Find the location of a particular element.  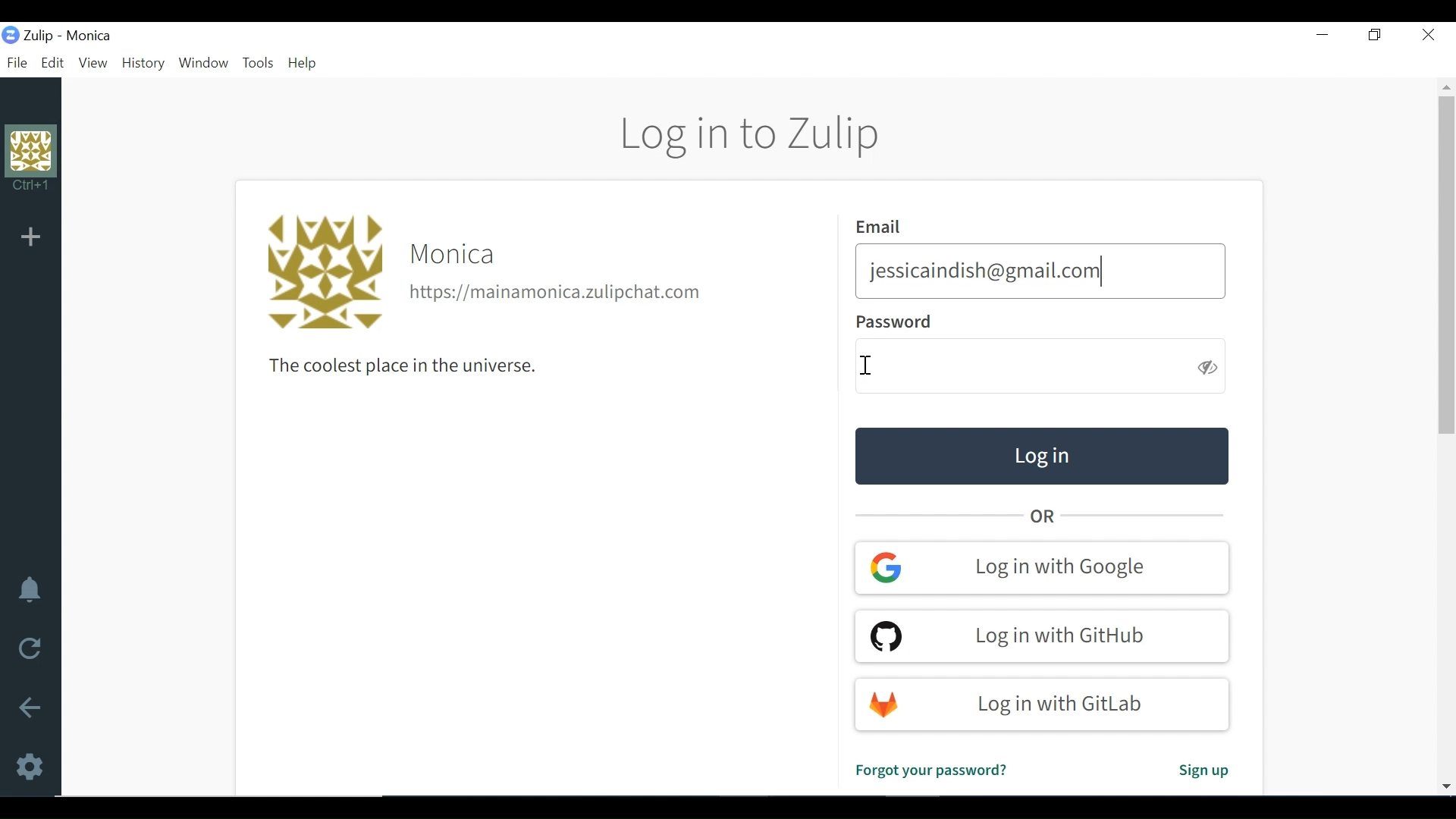

Password is located at coordinates (893, 323).